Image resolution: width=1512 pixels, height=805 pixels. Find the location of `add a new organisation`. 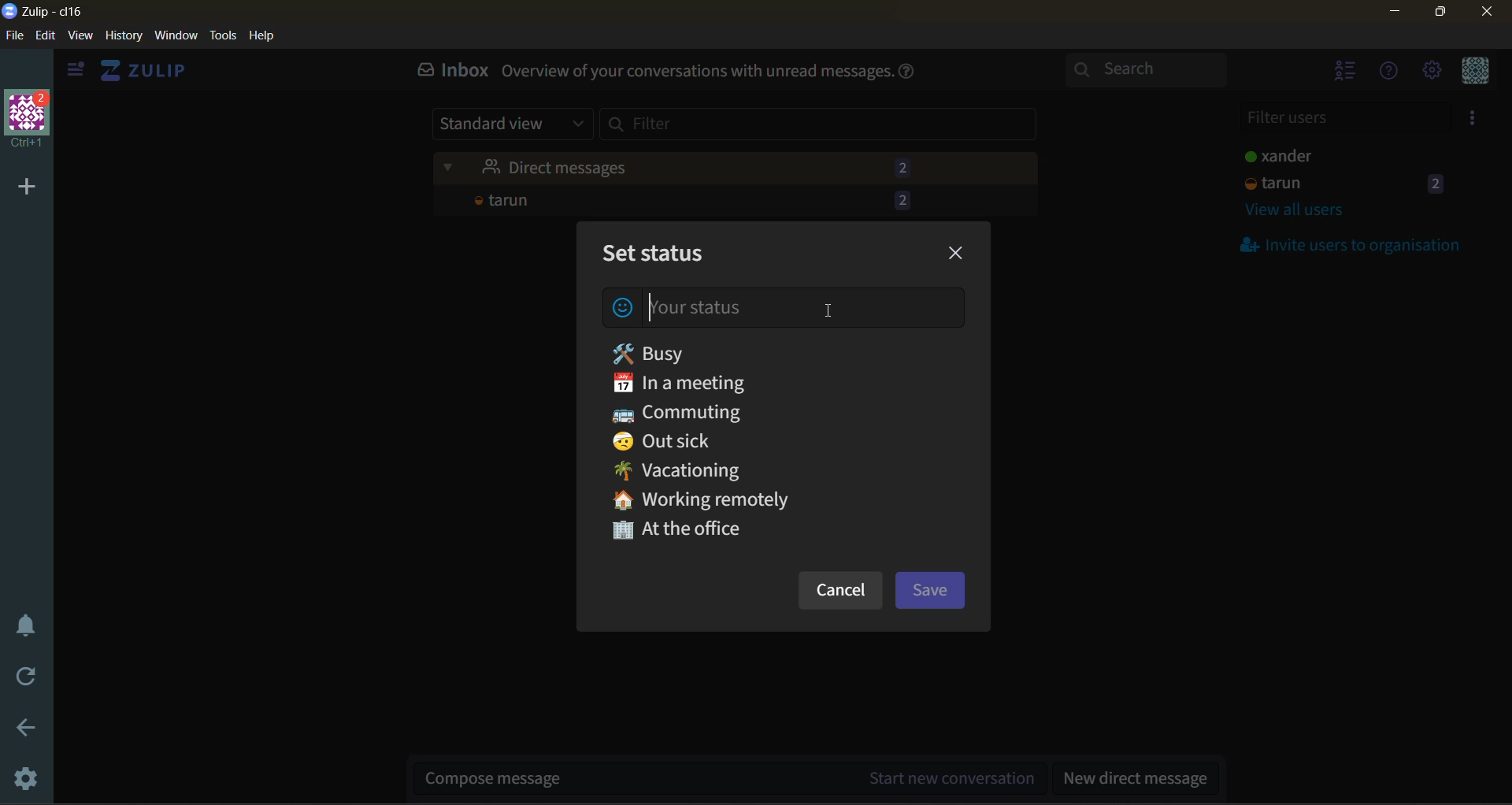

add a new organisation is located at coordinates (25, 184).